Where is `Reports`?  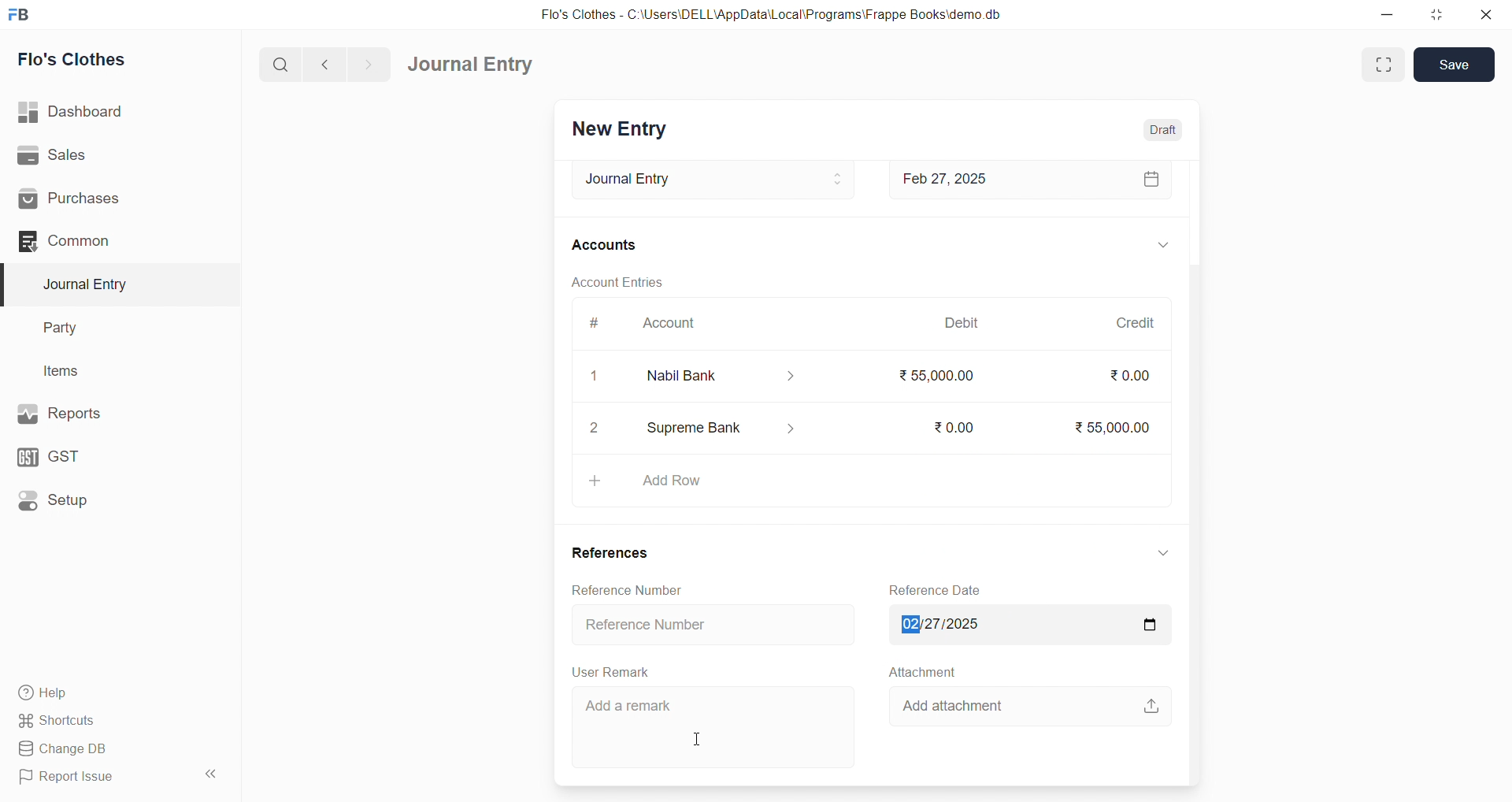
Reports is located at coordinates (93, 414).